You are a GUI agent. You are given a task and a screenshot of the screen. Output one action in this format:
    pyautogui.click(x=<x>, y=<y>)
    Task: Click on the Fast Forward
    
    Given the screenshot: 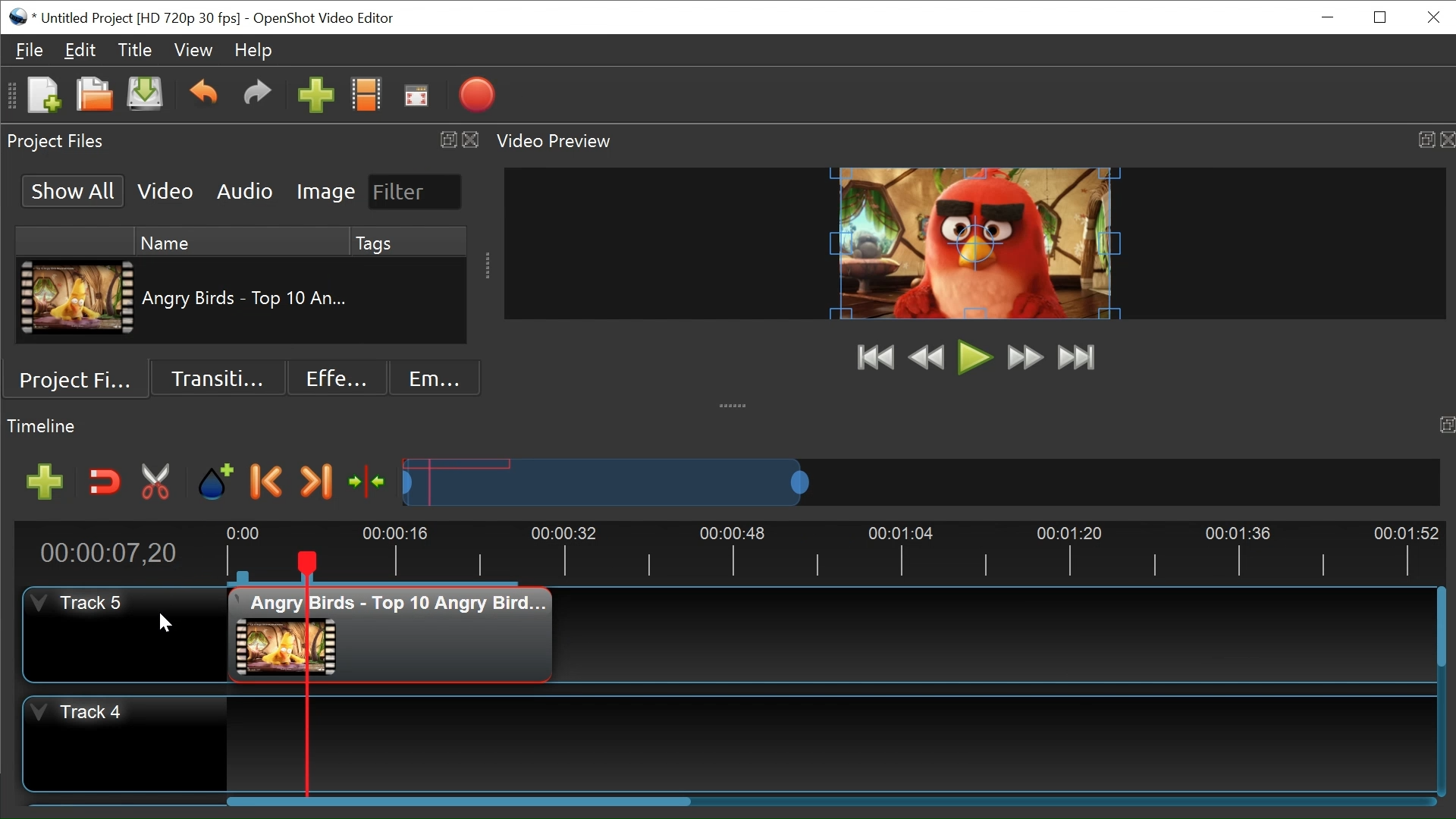 What is the action you would take?
    pyautogui.click(x=1025, y=357)
    